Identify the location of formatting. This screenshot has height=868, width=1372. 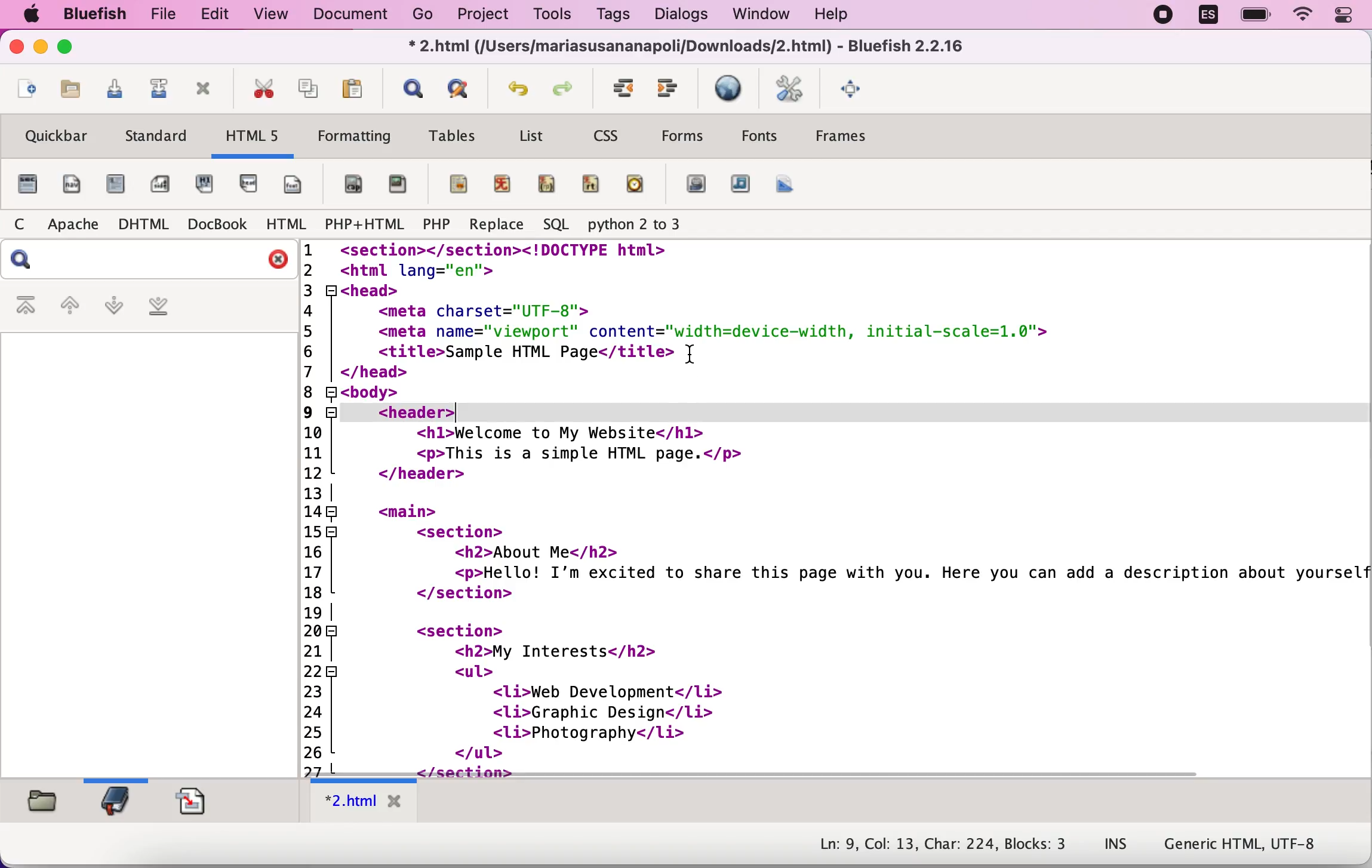
(353, 138).